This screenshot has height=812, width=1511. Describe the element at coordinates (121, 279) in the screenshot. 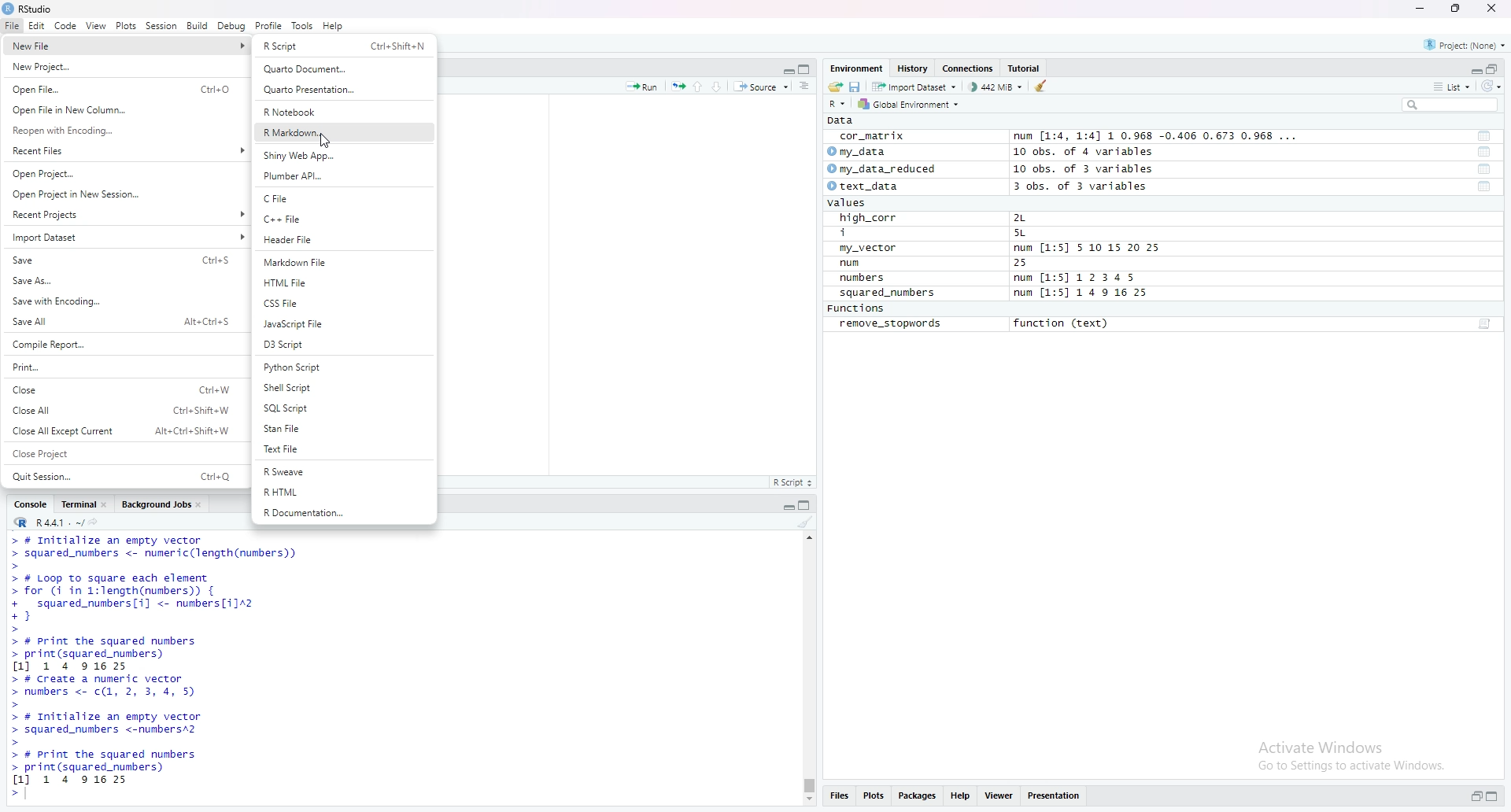

I see `Save As...` at that location.